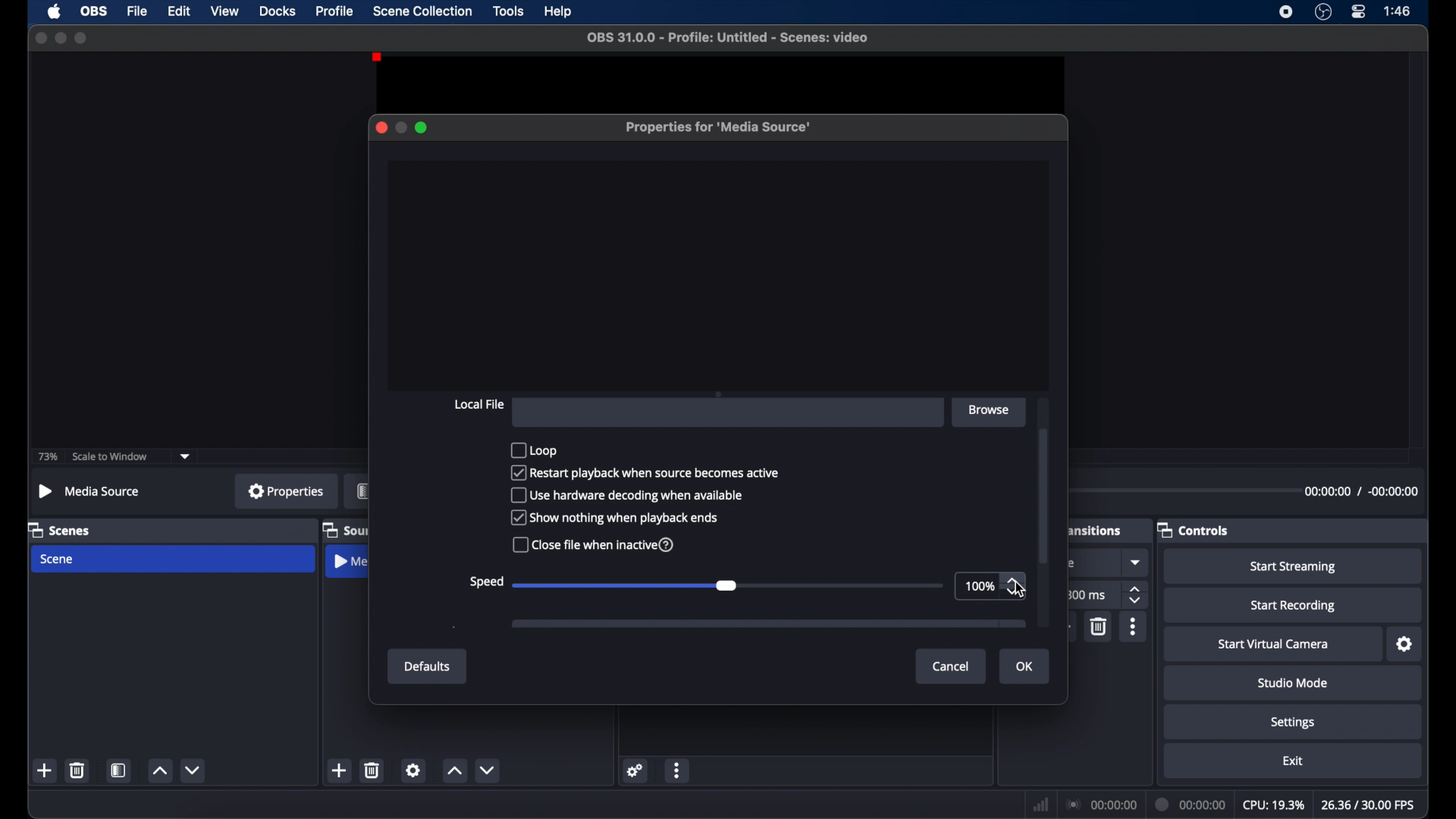 Image resolution: width=1456 pixels, height=819 pixels. What do you see at coordinates (56, 11) in the screenshot?
I see `apple icon` at bounding box center [56, 11].